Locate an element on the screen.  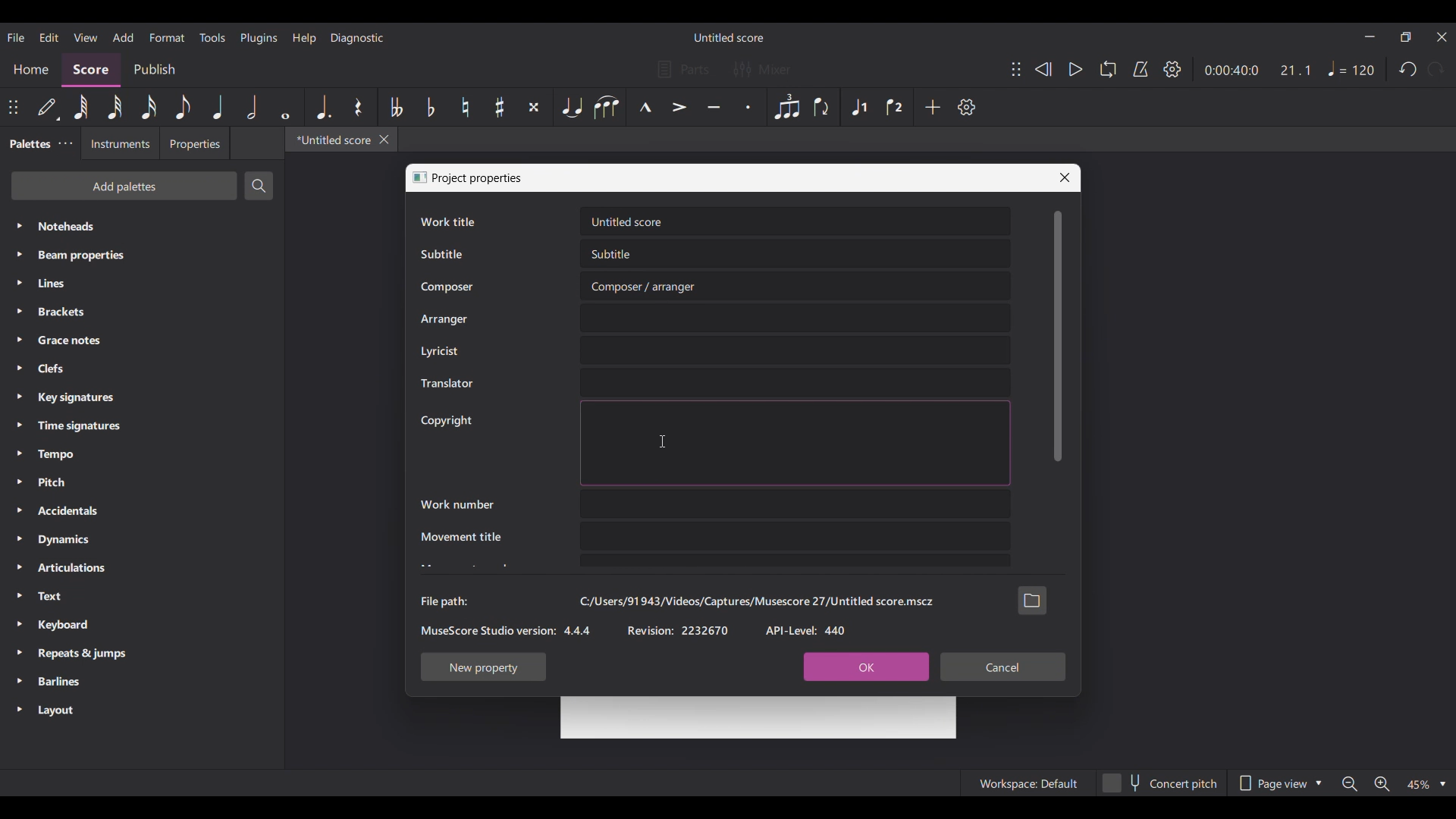
Concert pitch toggle is located at coordinates (1159, 783).